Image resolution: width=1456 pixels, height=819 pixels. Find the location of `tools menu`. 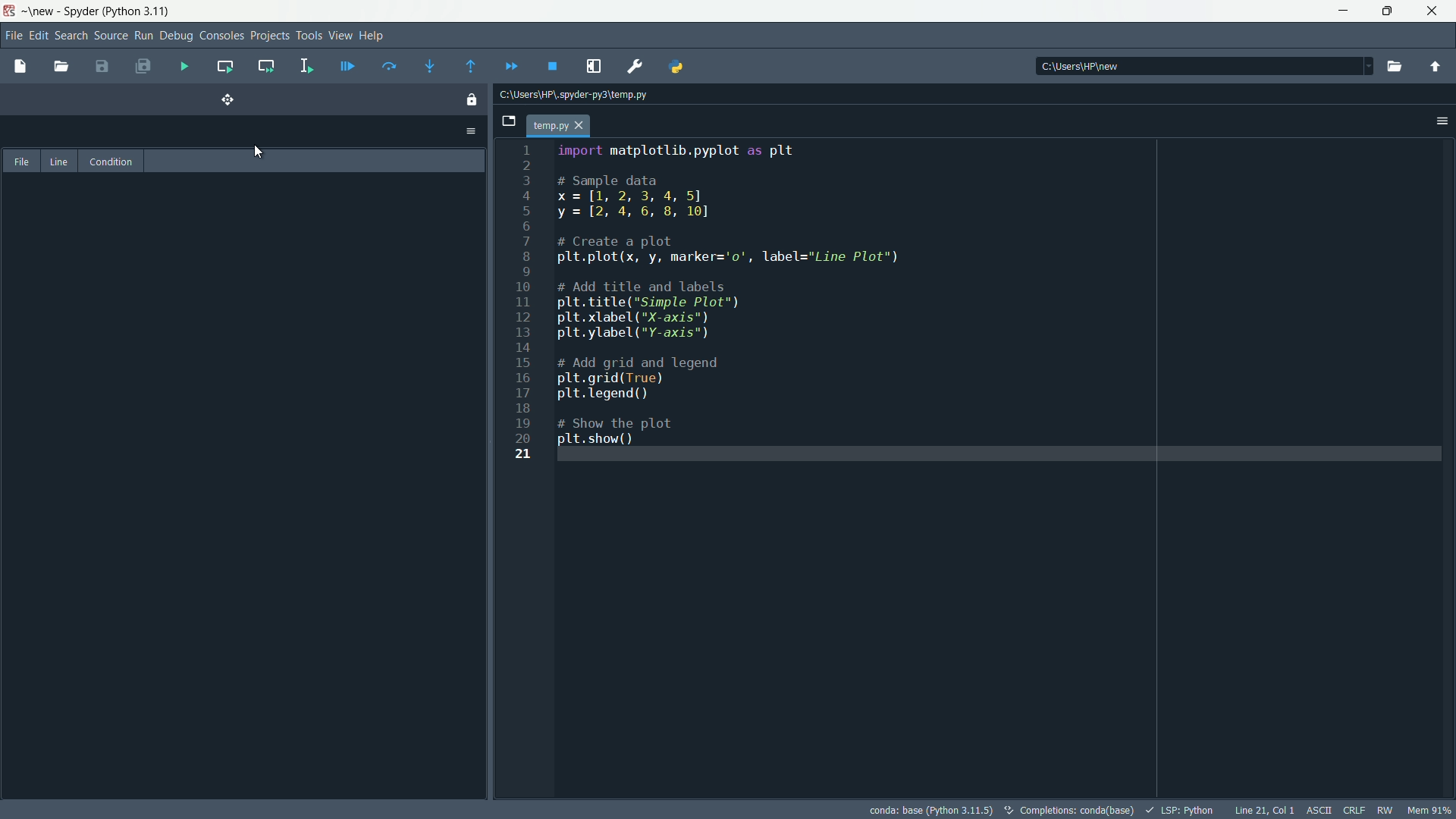

tools menu is located at coordinates (307, 35).